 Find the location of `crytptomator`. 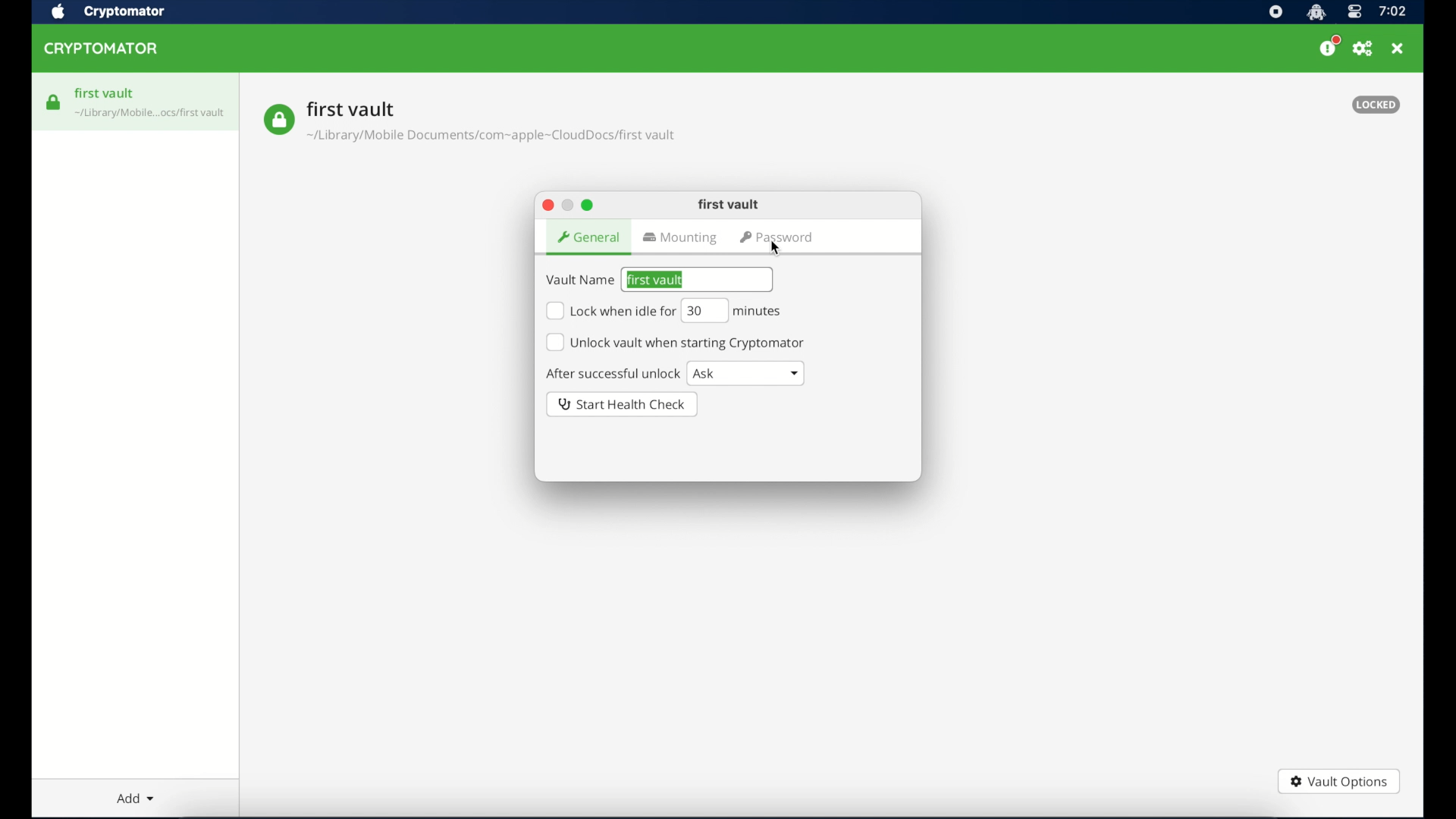

crytptomator is located at coordinates (124, 13).